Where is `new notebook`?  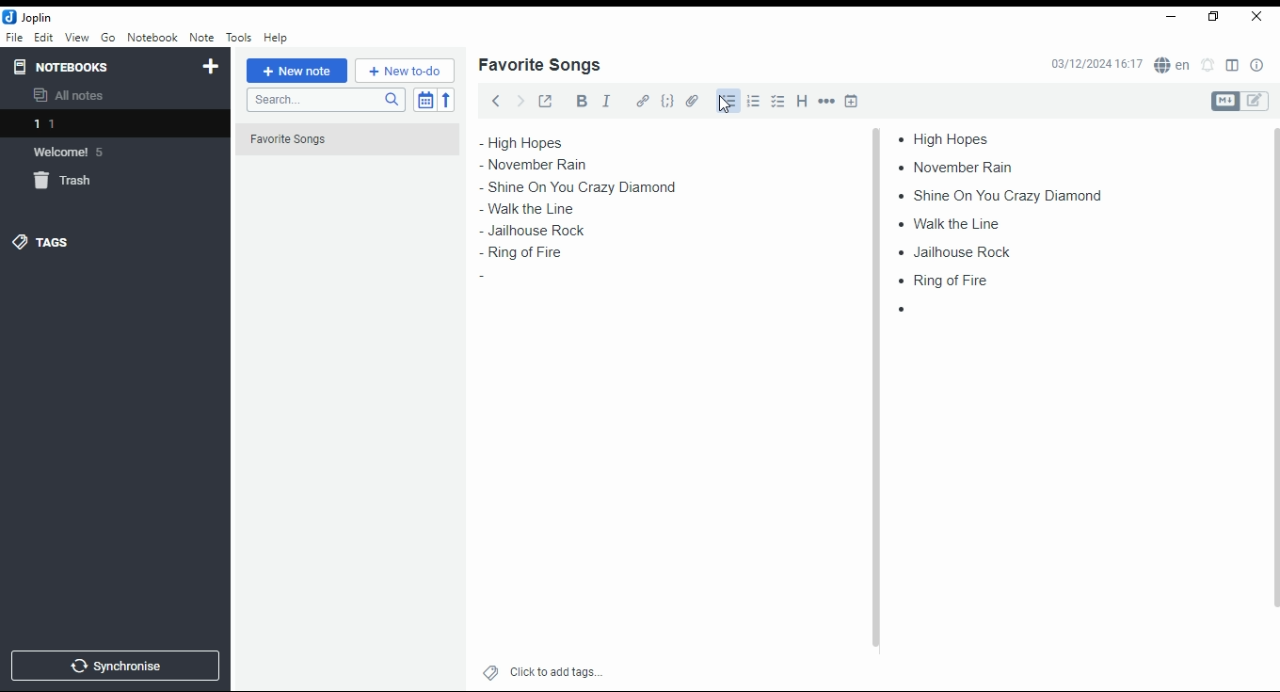 new notebook is located at coordinates (211, 67).